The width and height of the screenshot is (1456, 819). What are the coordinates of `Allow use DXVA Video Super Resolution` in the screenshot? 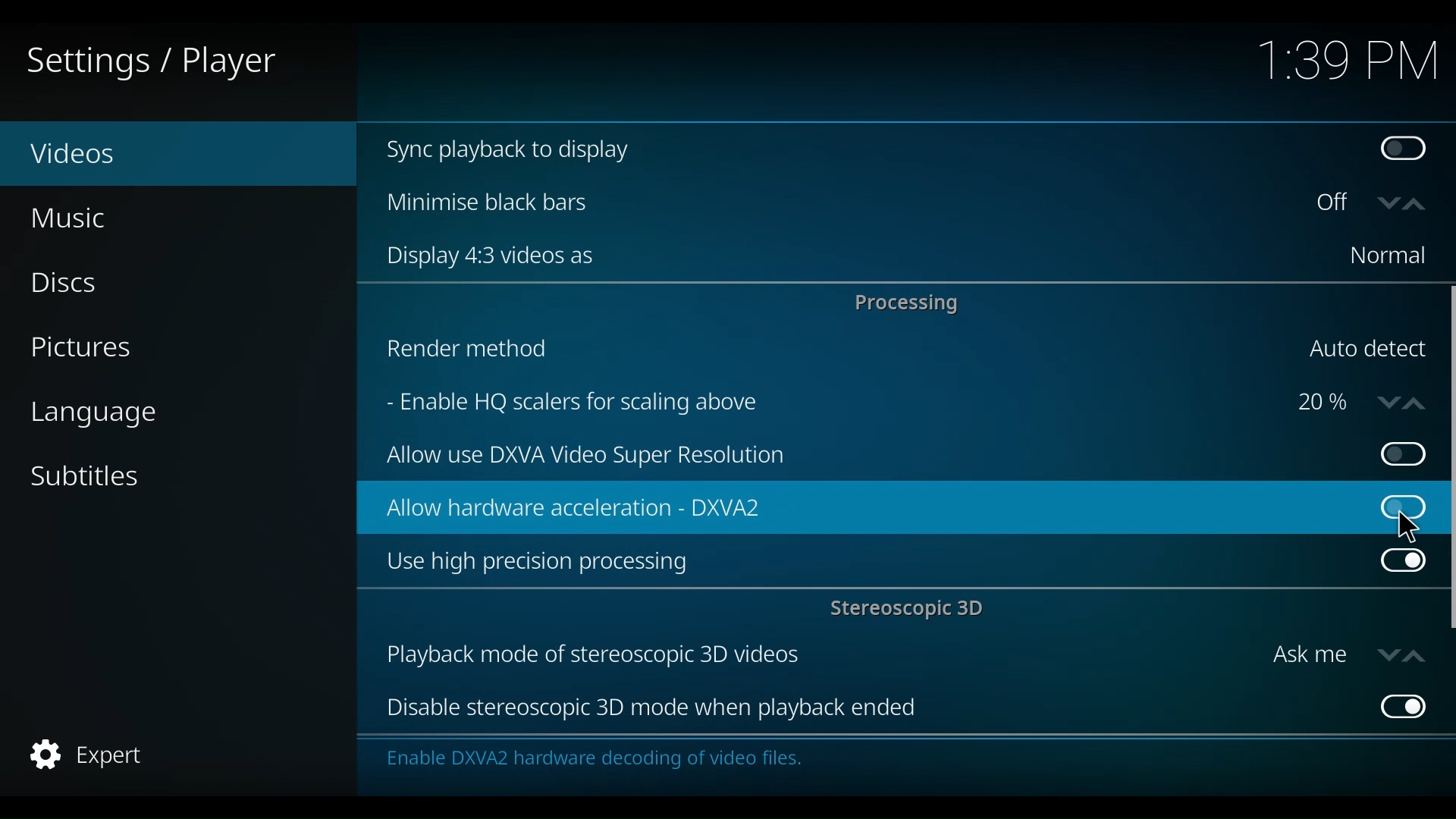 It's located at (867, 457).